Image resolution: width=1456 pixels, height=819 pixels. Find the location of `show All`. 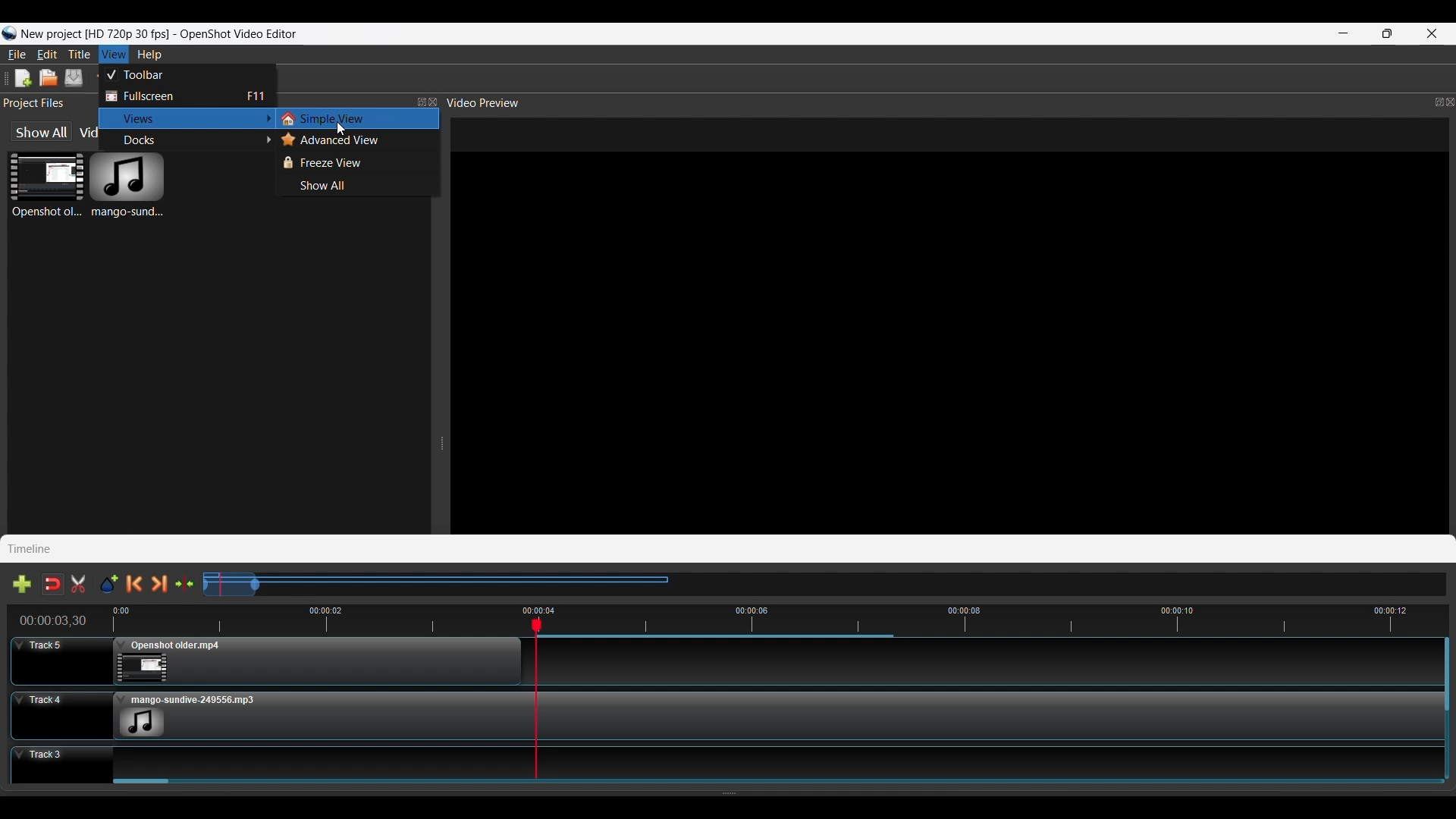

show All is located at coordinates (40, 131).